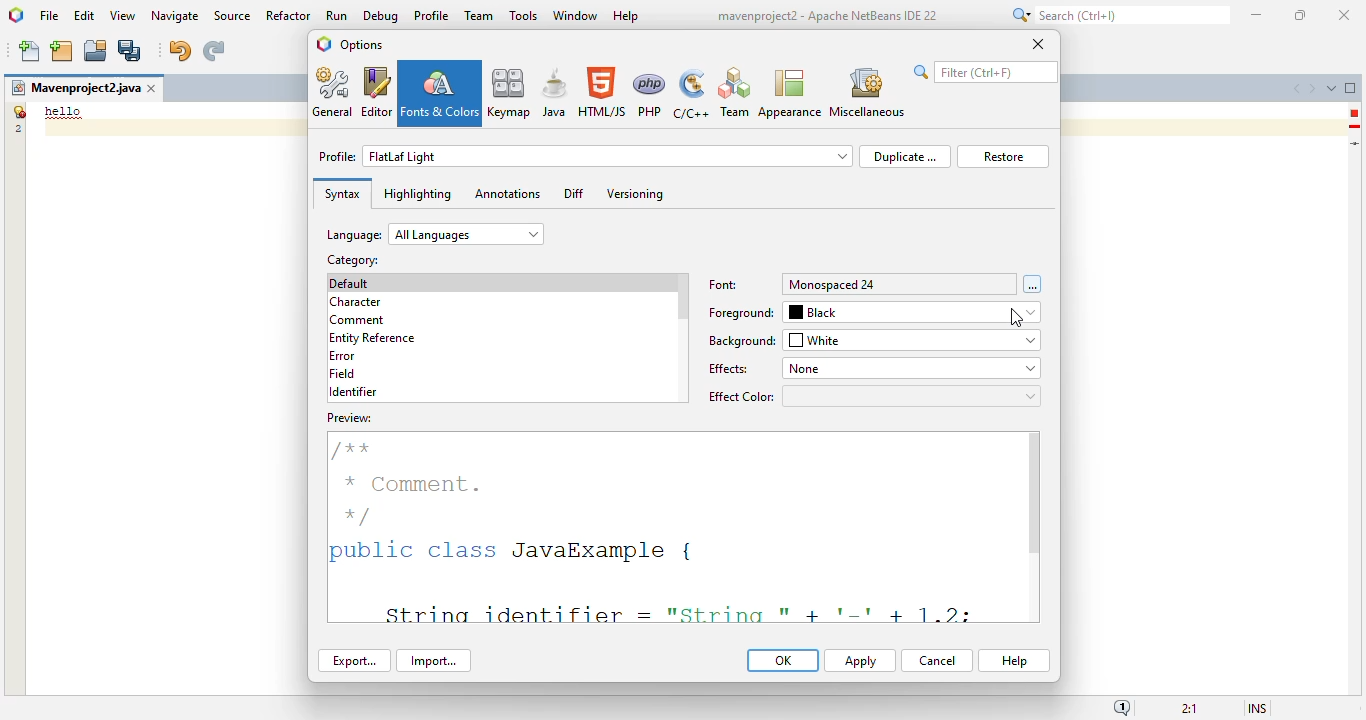 This screenshot has height=720, width=1366. Describe the element at coordinates (417, 194) in the screenshot. I see `highlighting` at that location.